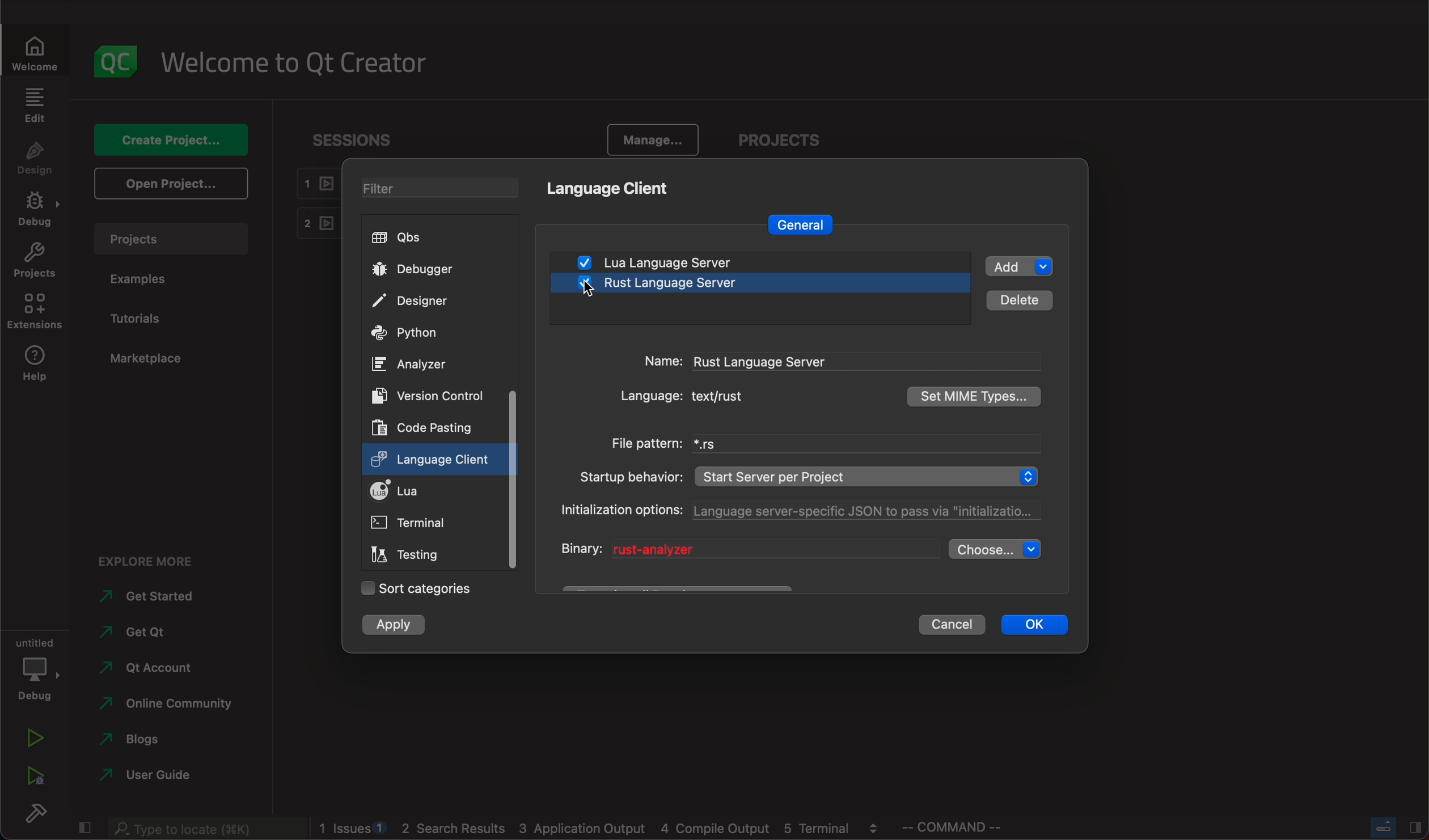 The image size is (1429, 840). Describe the element at coordinates (150, 634) in the screenshot. I see `get qt` at that location.